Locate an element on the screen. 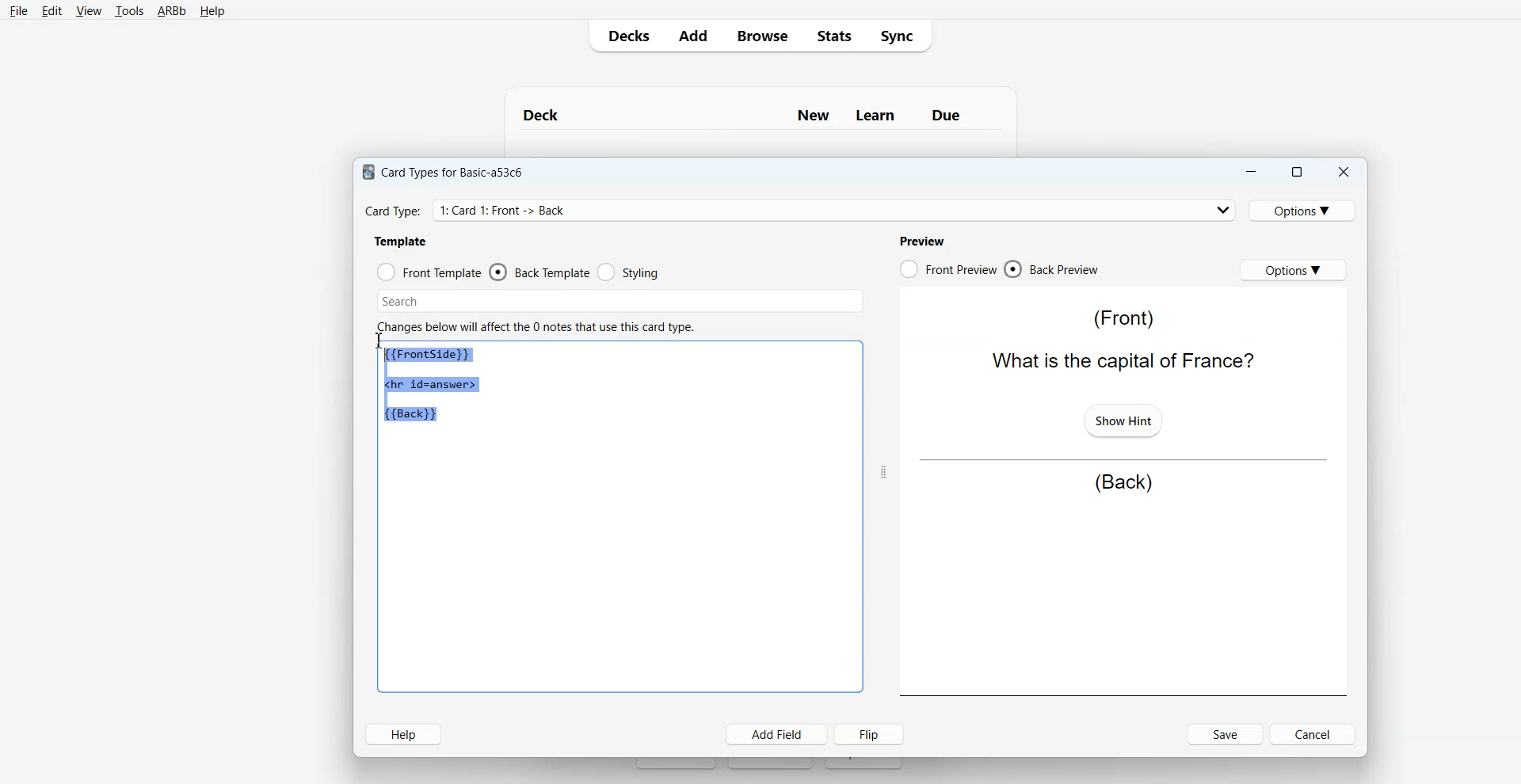 The height and width of the screenshot is (784, 1521). Options is located at coordinates (1293, 269).